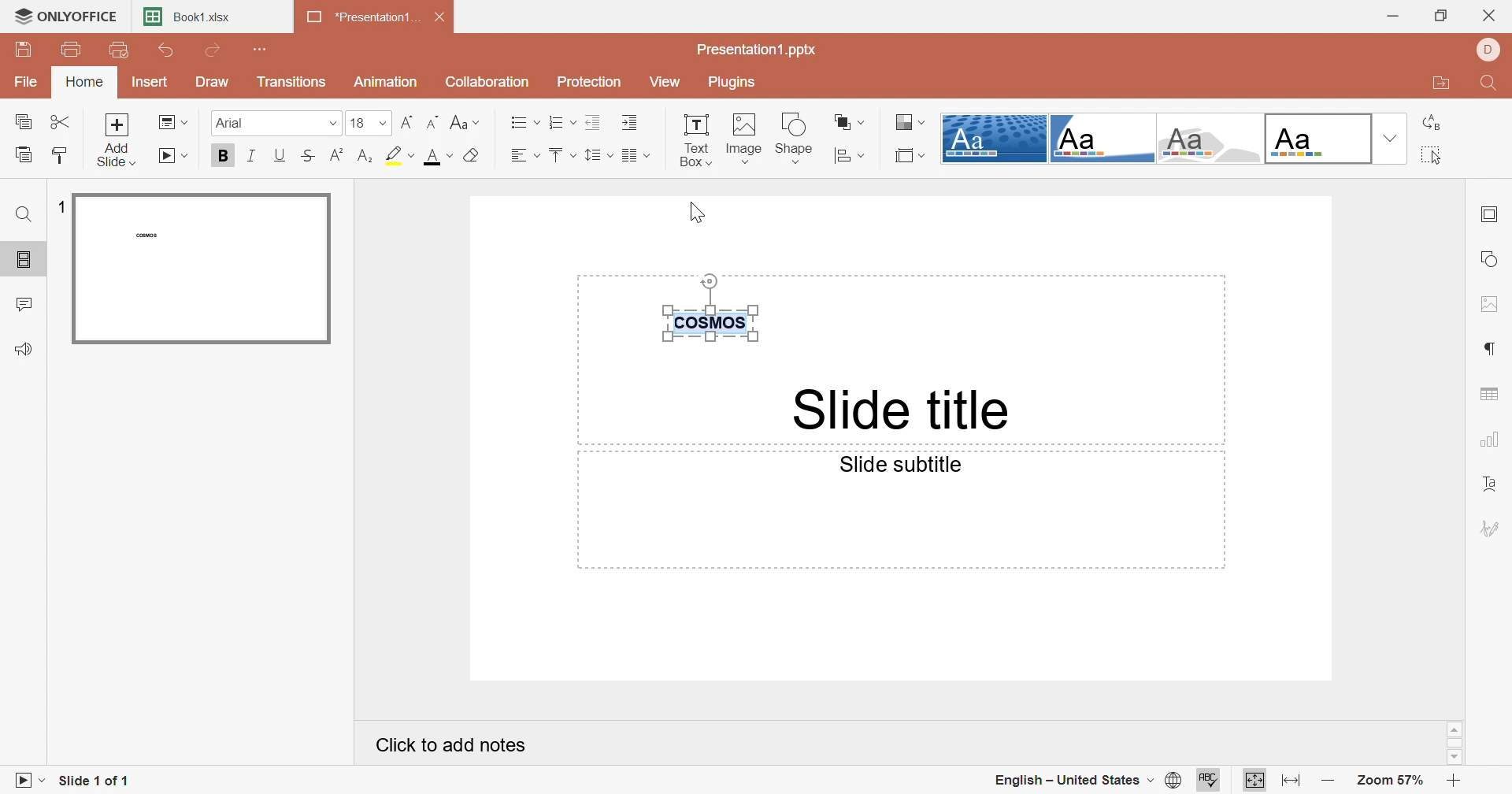  Describe the element at coordinates (1432, 157) in the screenshot. I see `Select all` at that location.